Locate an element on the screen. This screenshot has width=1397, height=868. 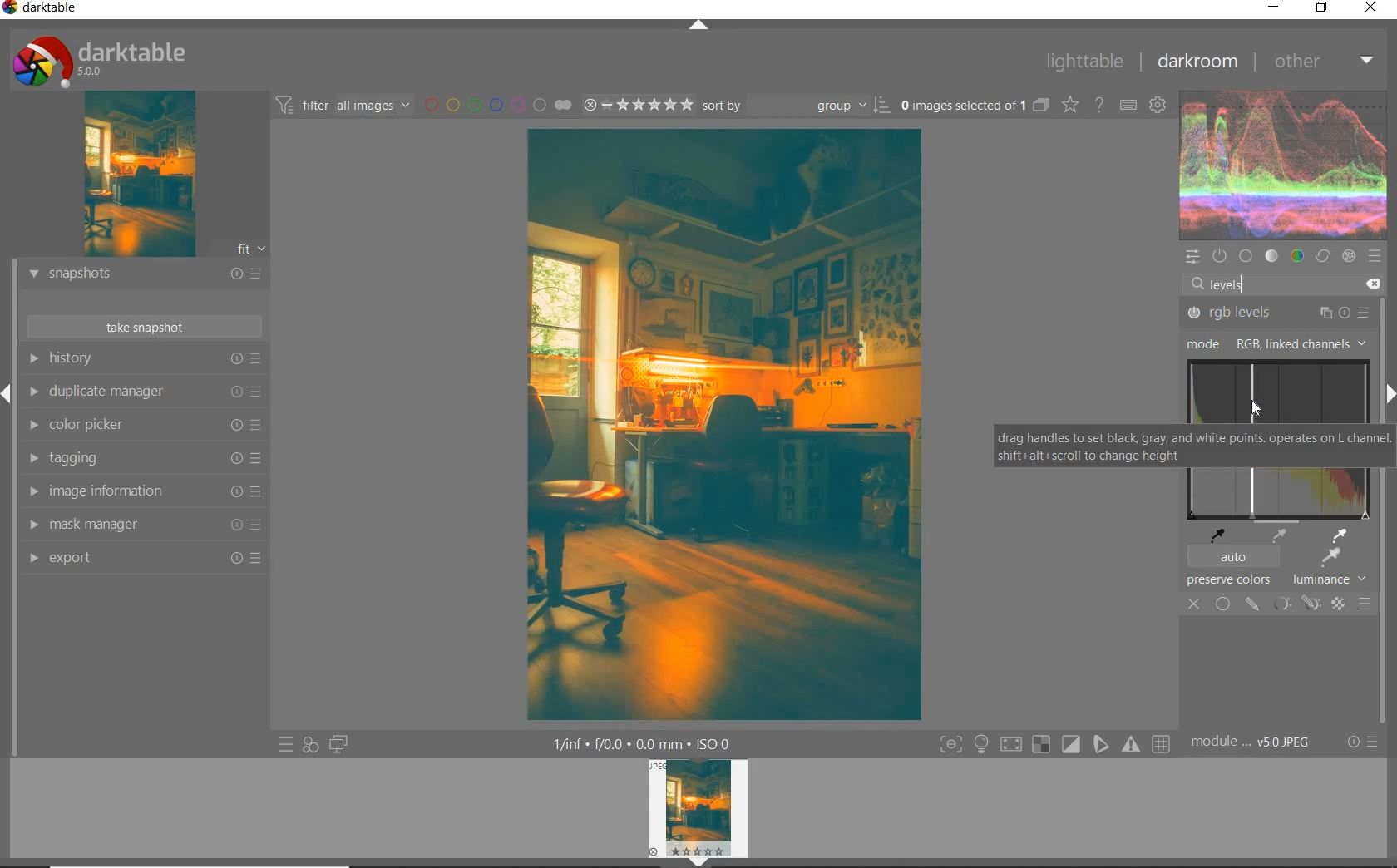
quick access panel is located at coordinates (1191, 257).